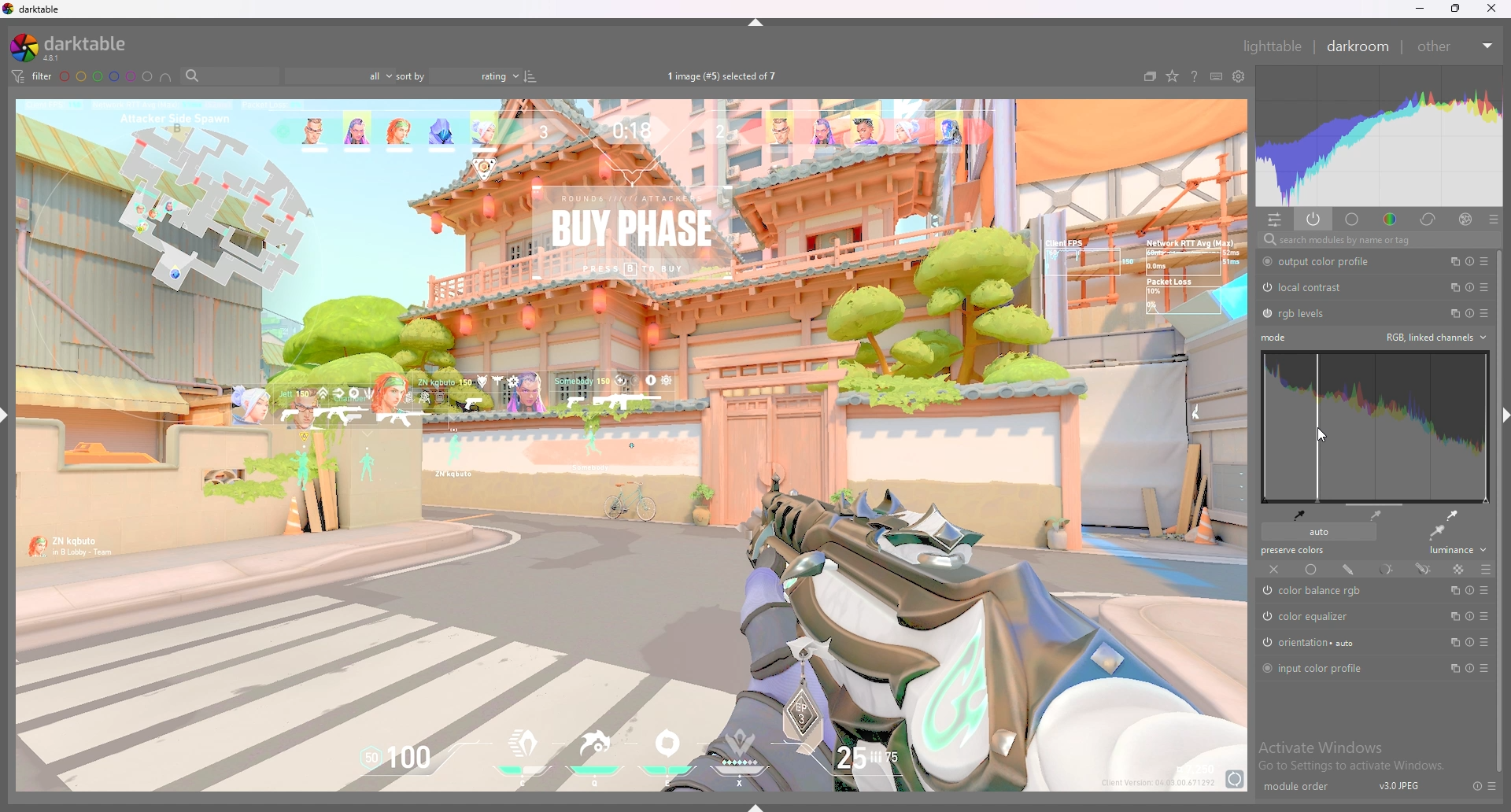 The image size is (1511, 812). Describe the element at coordinates (1358, 46) in the screenshot. I see `darkroom` at that location.